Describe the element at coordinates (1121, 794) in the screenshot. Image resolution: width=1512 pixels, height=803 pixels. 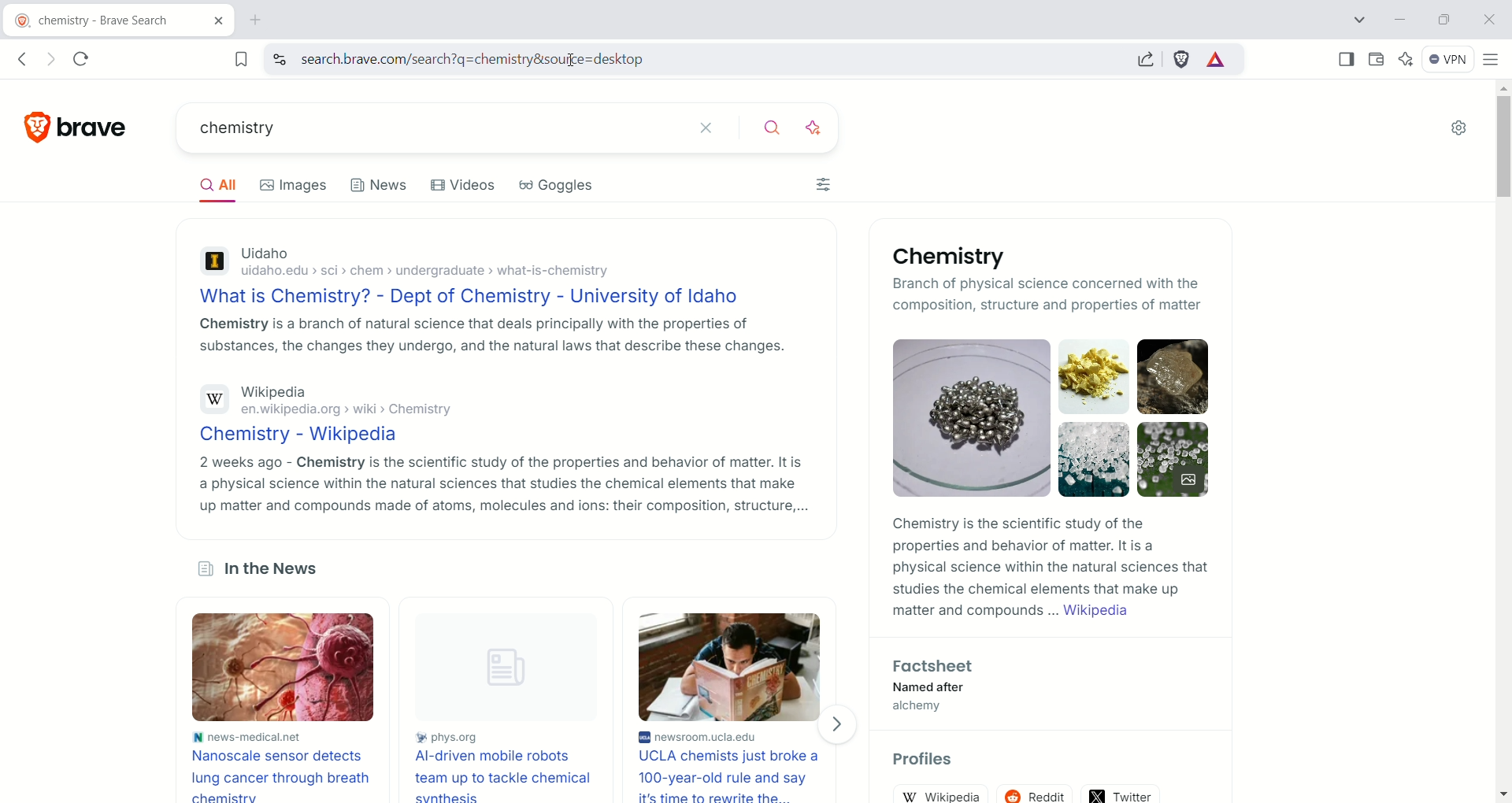
I see `twitter` at that location.